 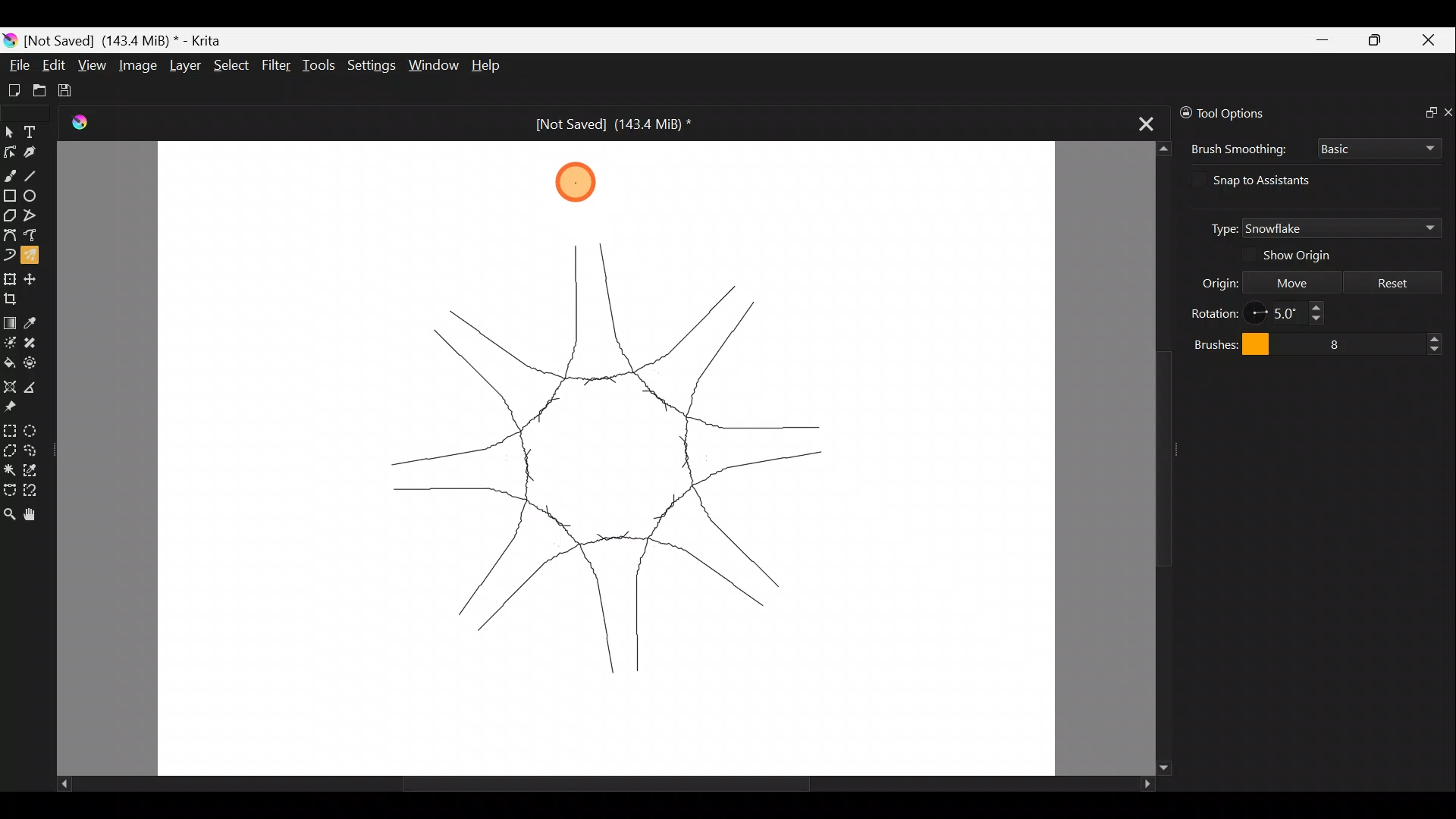 I want to click on Edit shapes tool, so click(x=9, y=152).